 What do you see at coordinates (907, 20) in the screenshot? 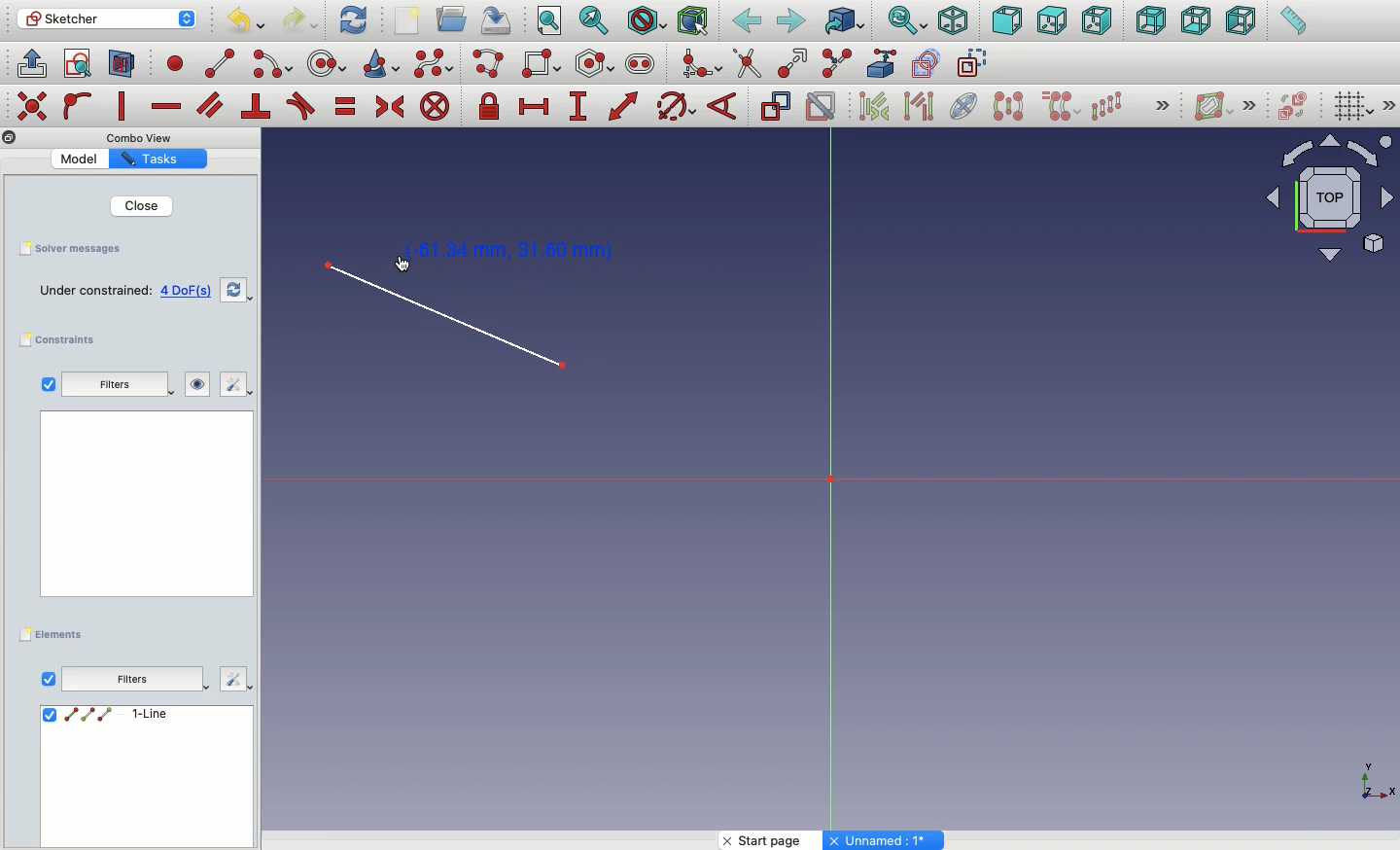
I see `Sync view` at bounding box center [907, 20].